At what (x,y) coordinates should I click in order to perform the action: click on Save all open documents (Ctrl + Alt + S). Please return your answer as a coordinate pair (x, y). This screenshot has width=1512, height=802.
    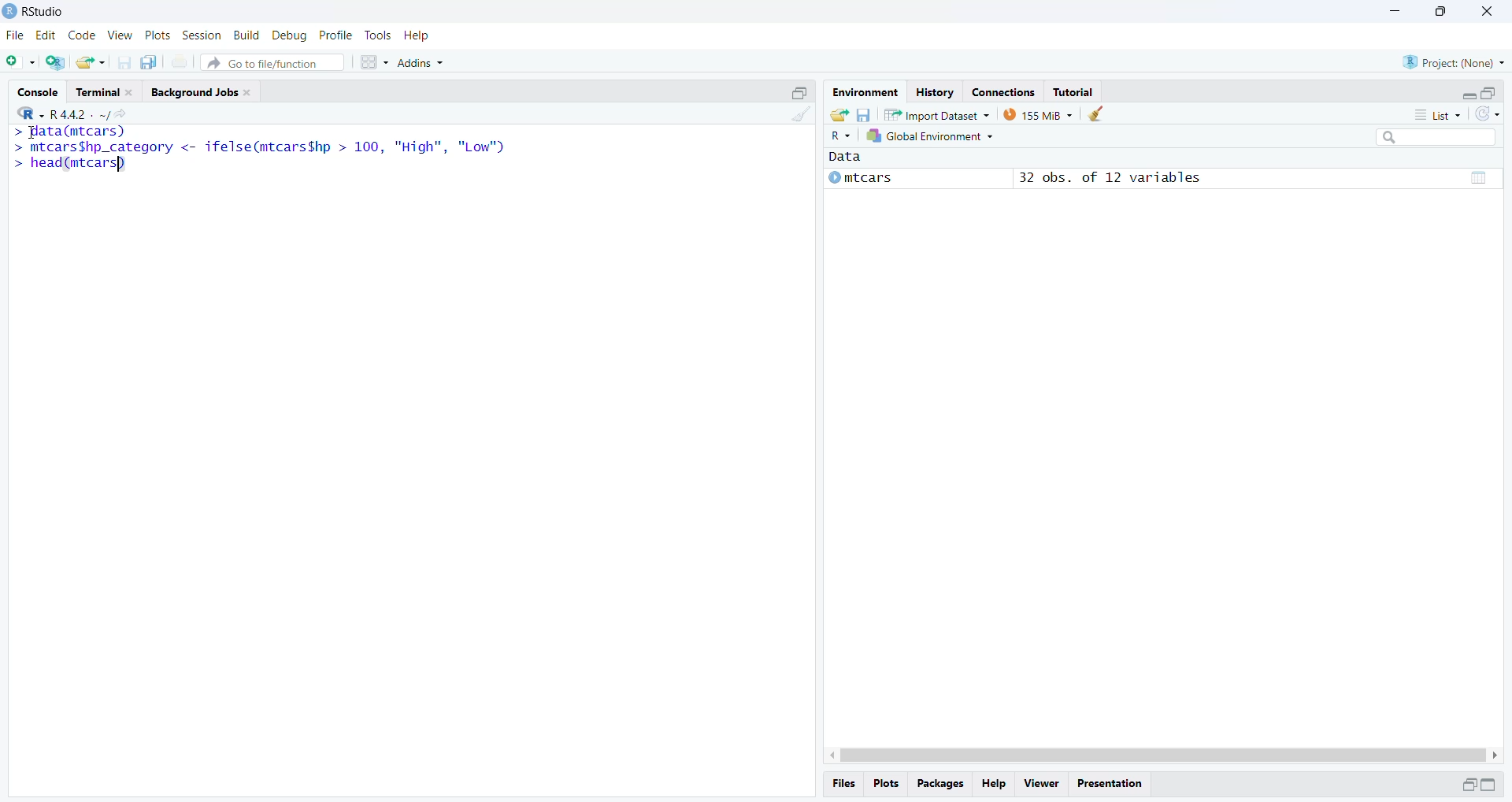
    Looking at the image, I should click on (154, 62).